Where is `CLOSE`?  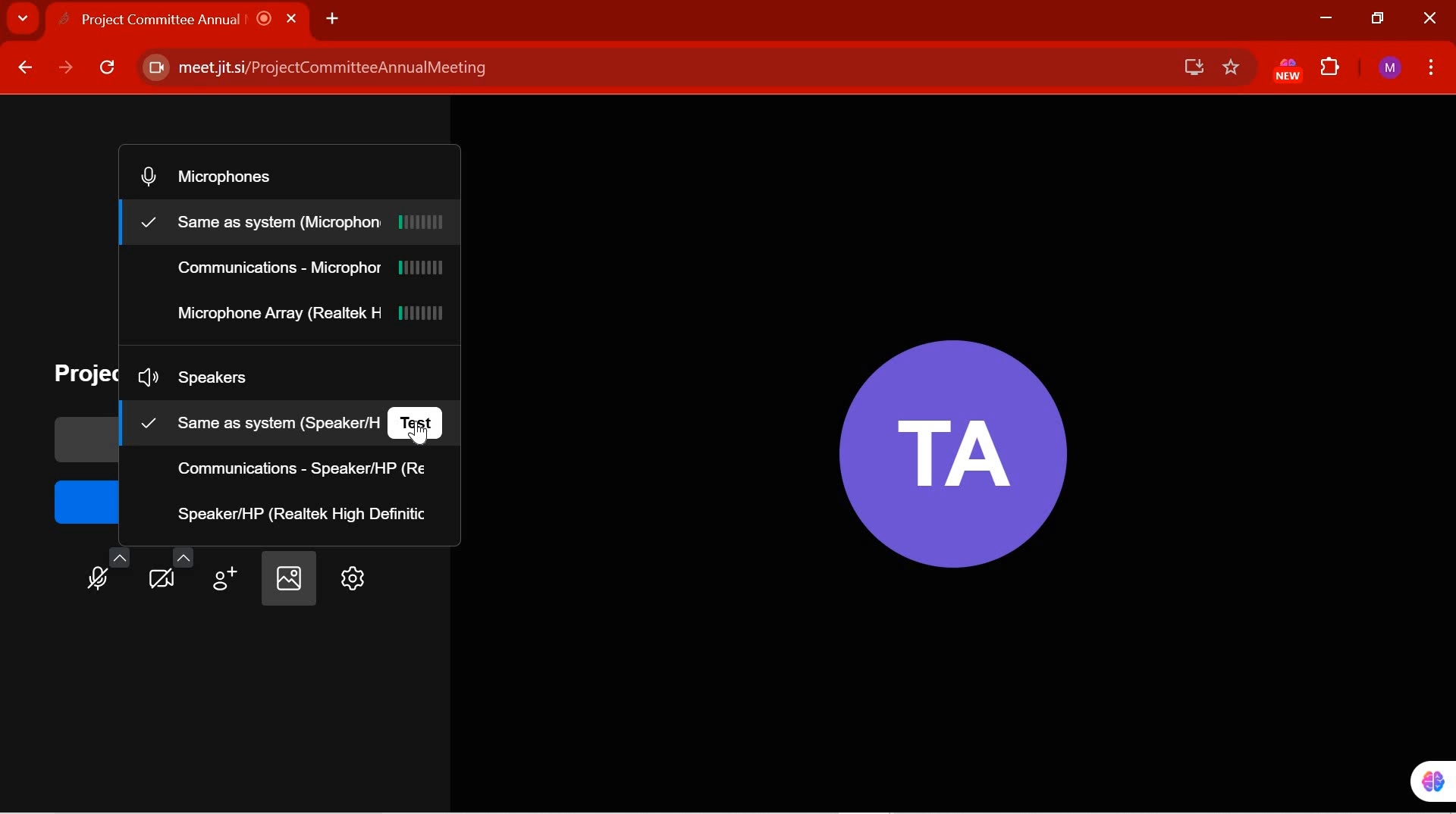
CLOSE is located at coordinates (1427, 19).